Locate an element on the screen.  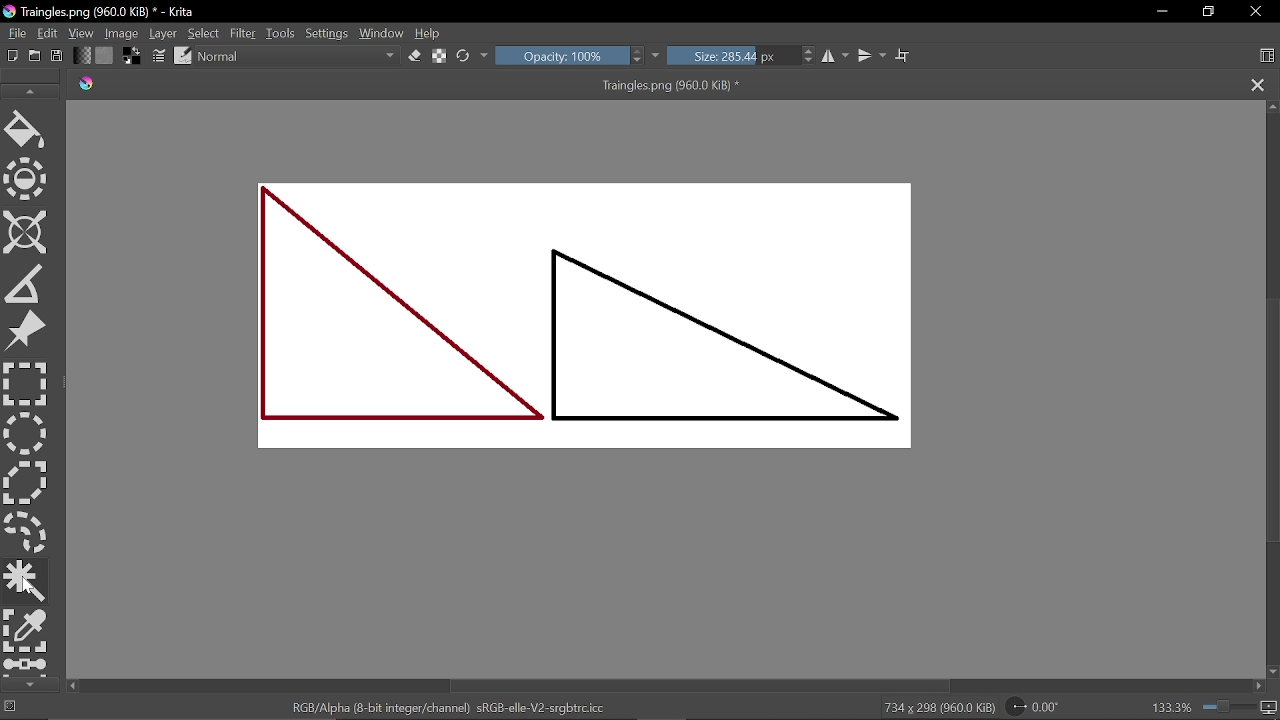
Size is located at coordinates (731, 55).